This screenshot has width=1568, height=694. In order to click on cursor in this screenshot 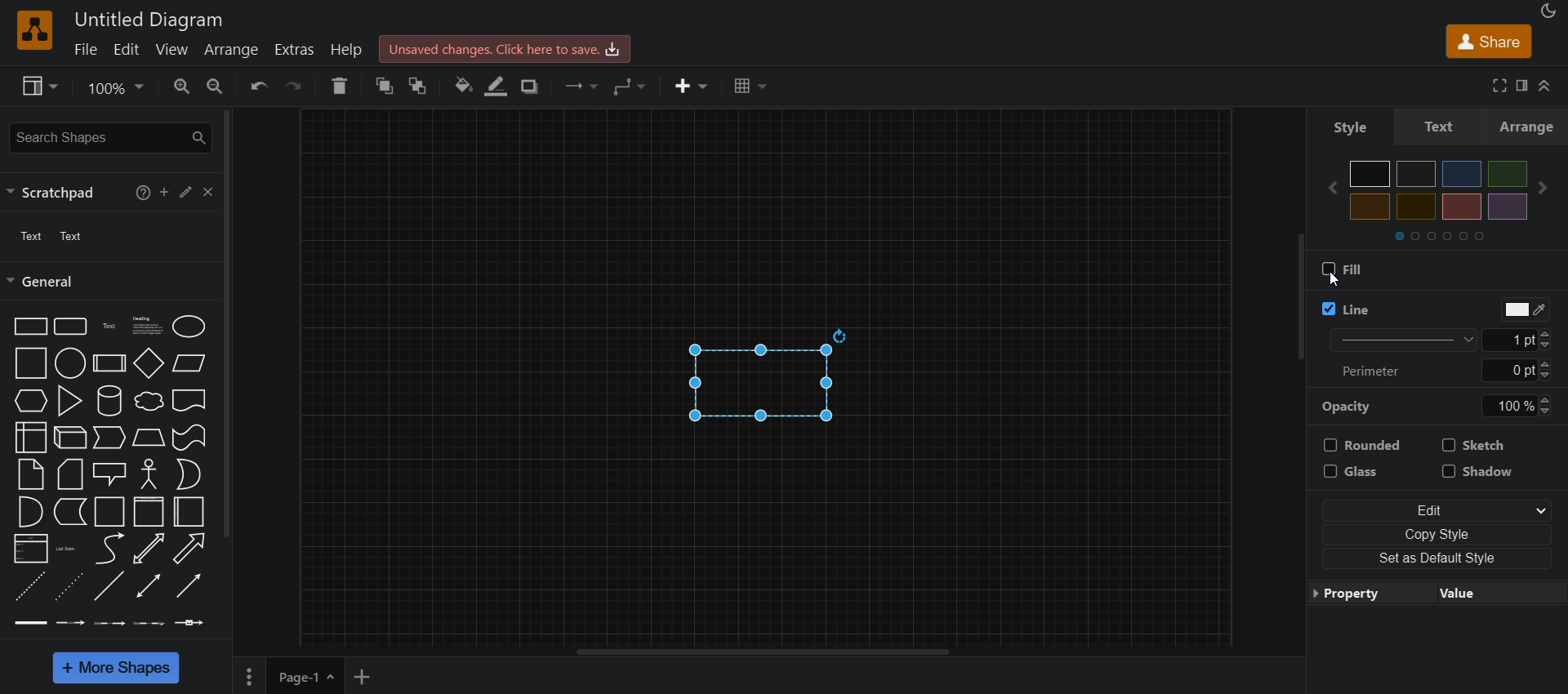, I will do `click(1338, 281)`.